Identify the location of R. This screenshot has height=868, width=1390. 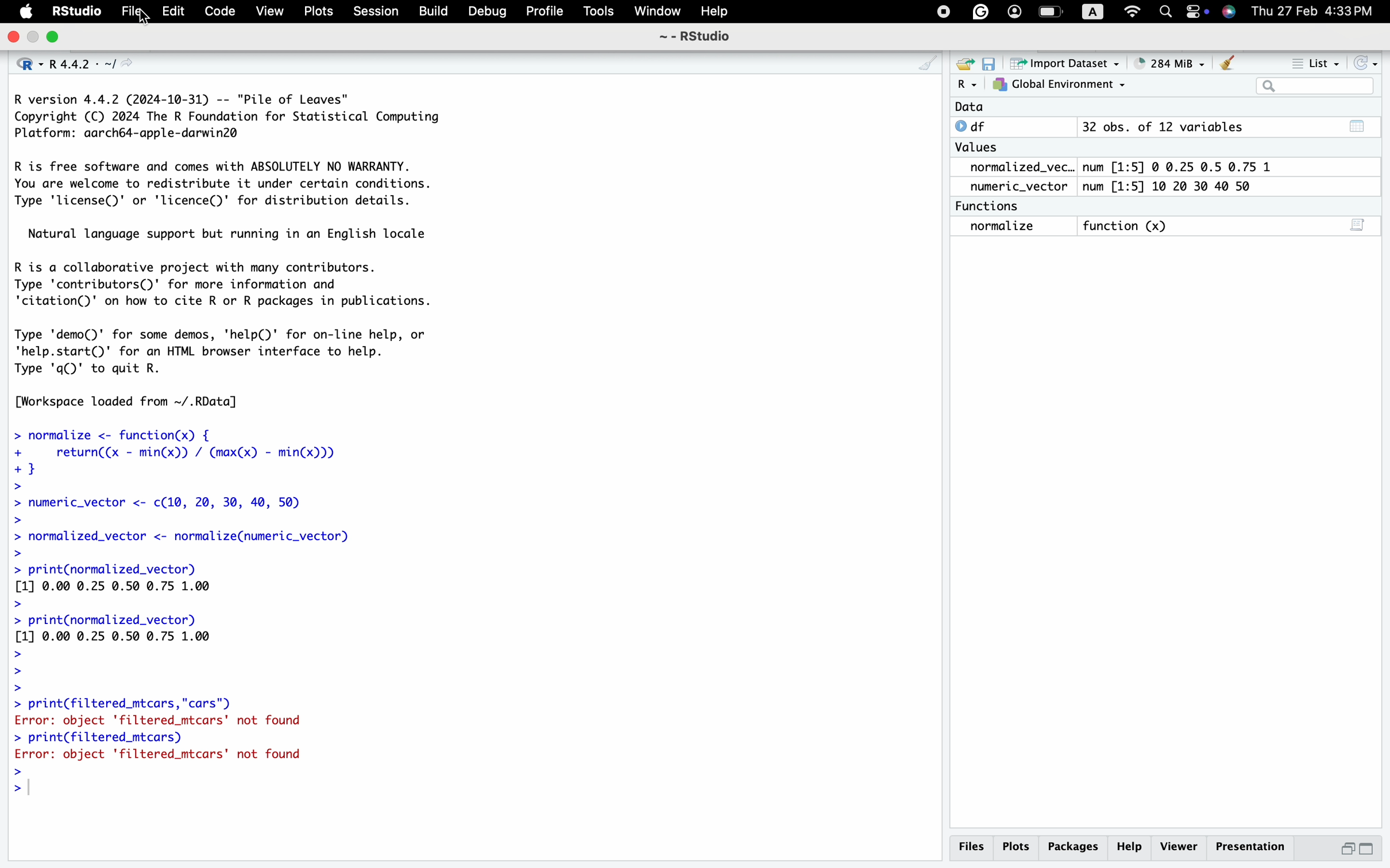
(966, 86).